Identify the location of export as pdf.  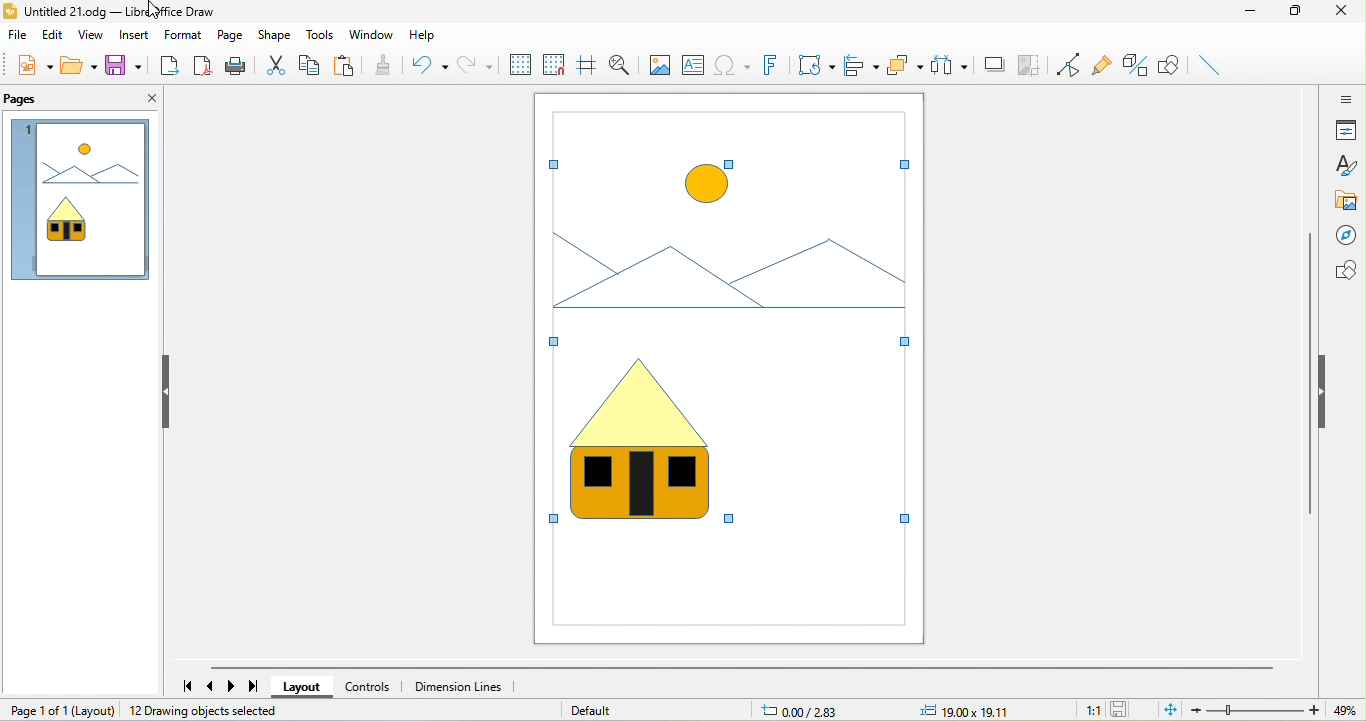
(202, 64).